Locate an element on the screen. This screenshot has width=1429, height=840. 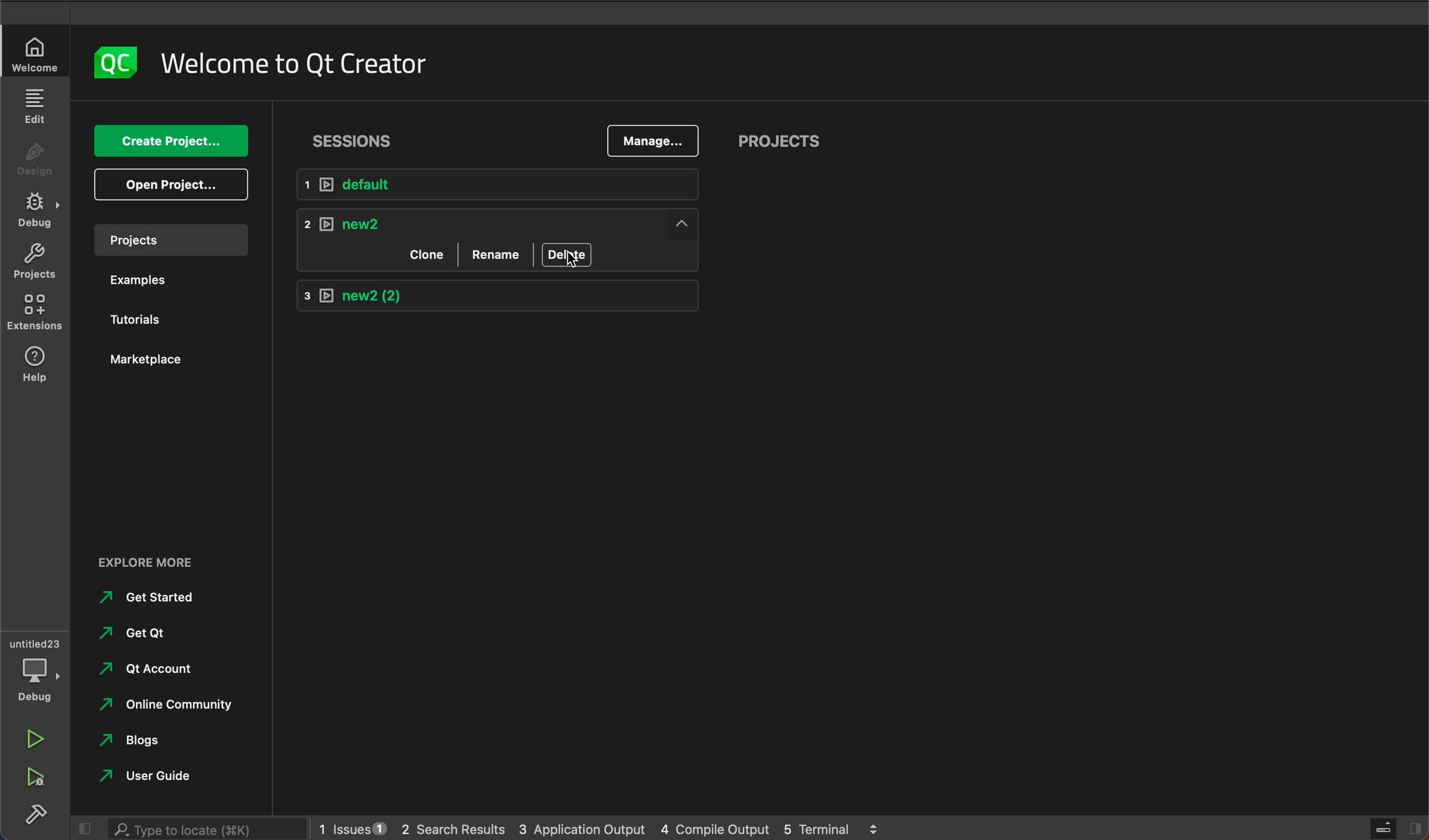
welcome is located at coordinates (36, 54).